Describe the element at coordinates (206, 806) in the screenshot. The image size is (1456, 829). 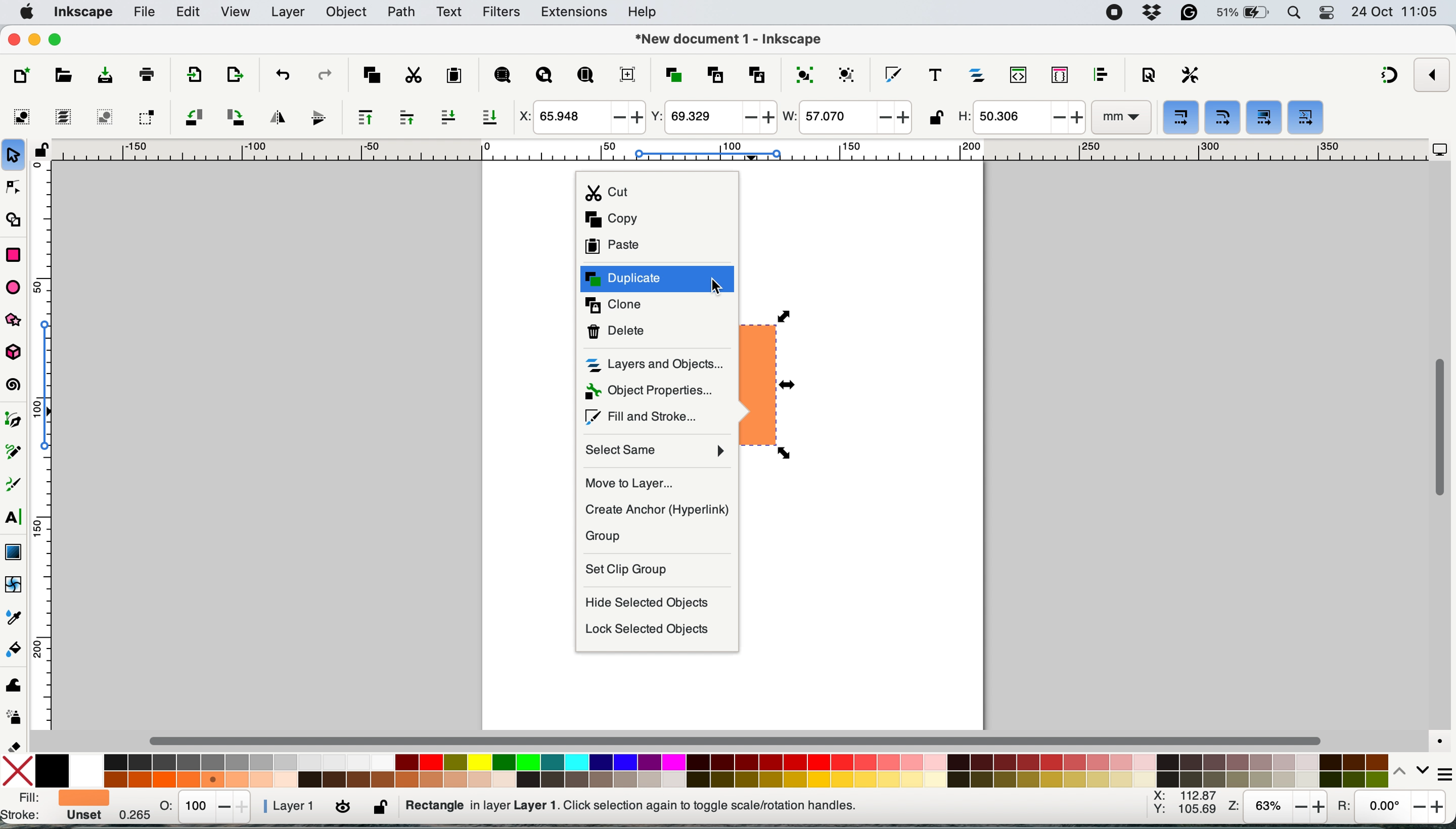
I see `stats` at that location.